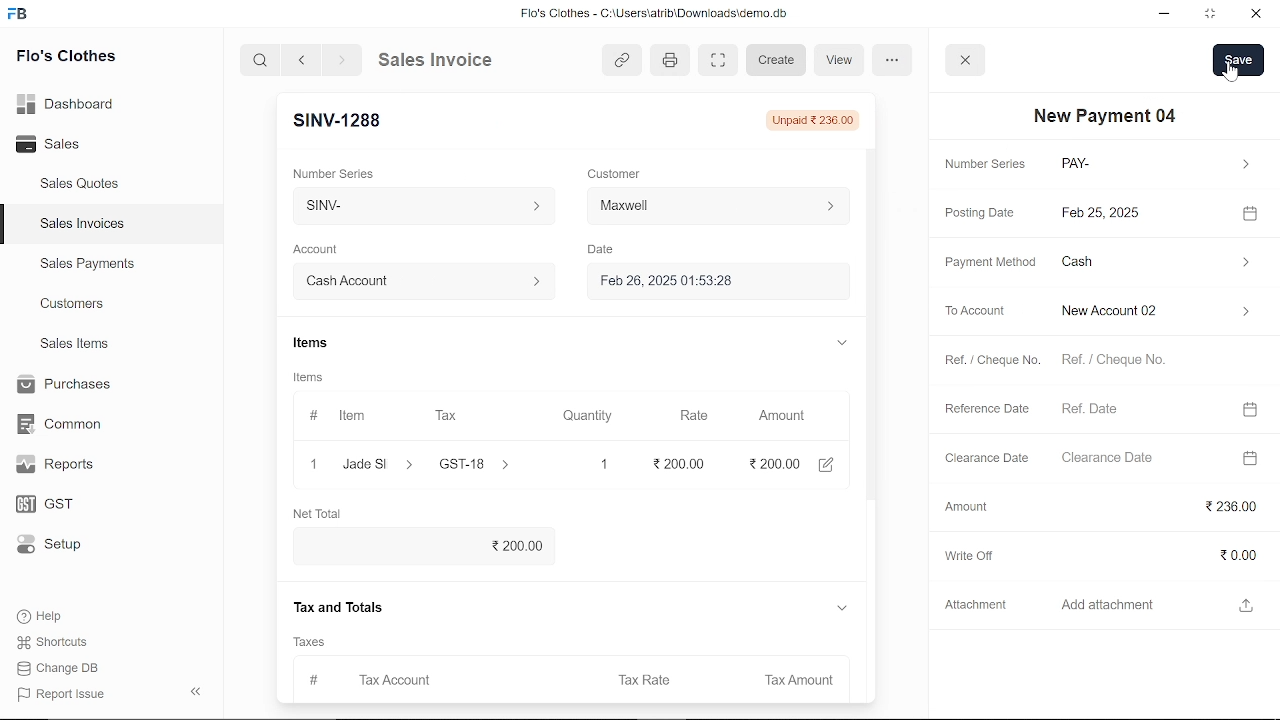 This screenshot has width=1280, height=720. I want to click on open calender, so click(1248, 409).